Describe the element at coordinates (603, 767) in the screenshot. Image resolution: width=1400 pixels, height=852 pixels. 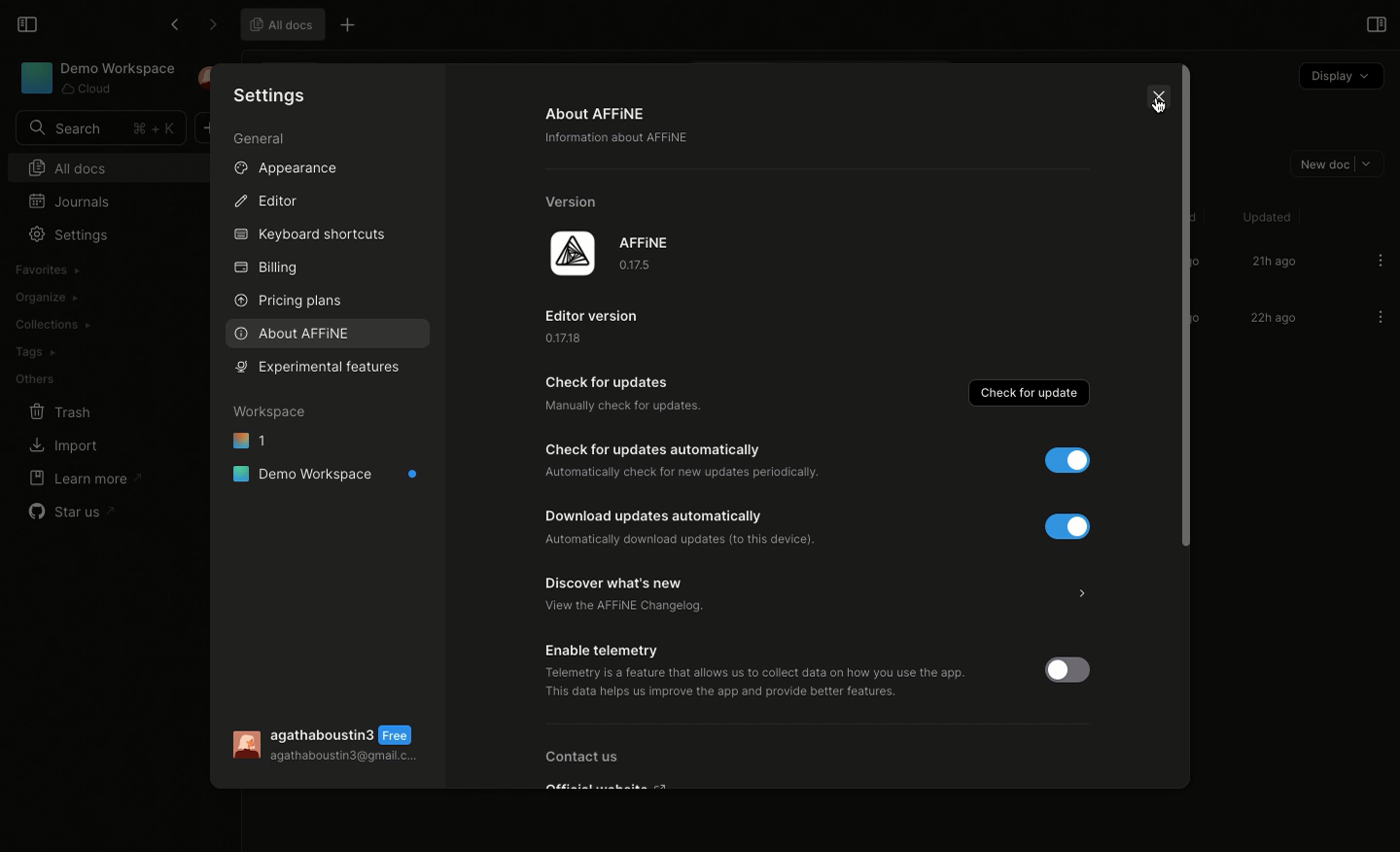
I see `Contact us` at that location.